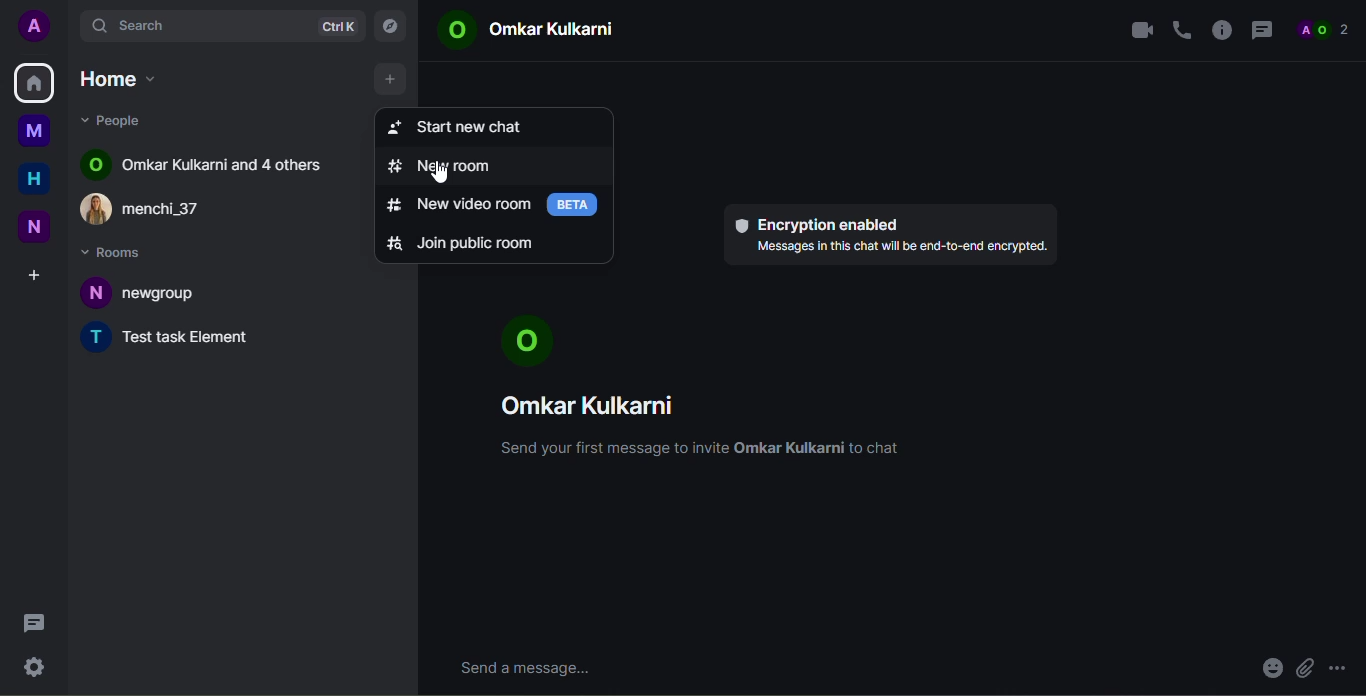 The image size is (1366, 696). I want to click on explore rooms, so click(389, 27).